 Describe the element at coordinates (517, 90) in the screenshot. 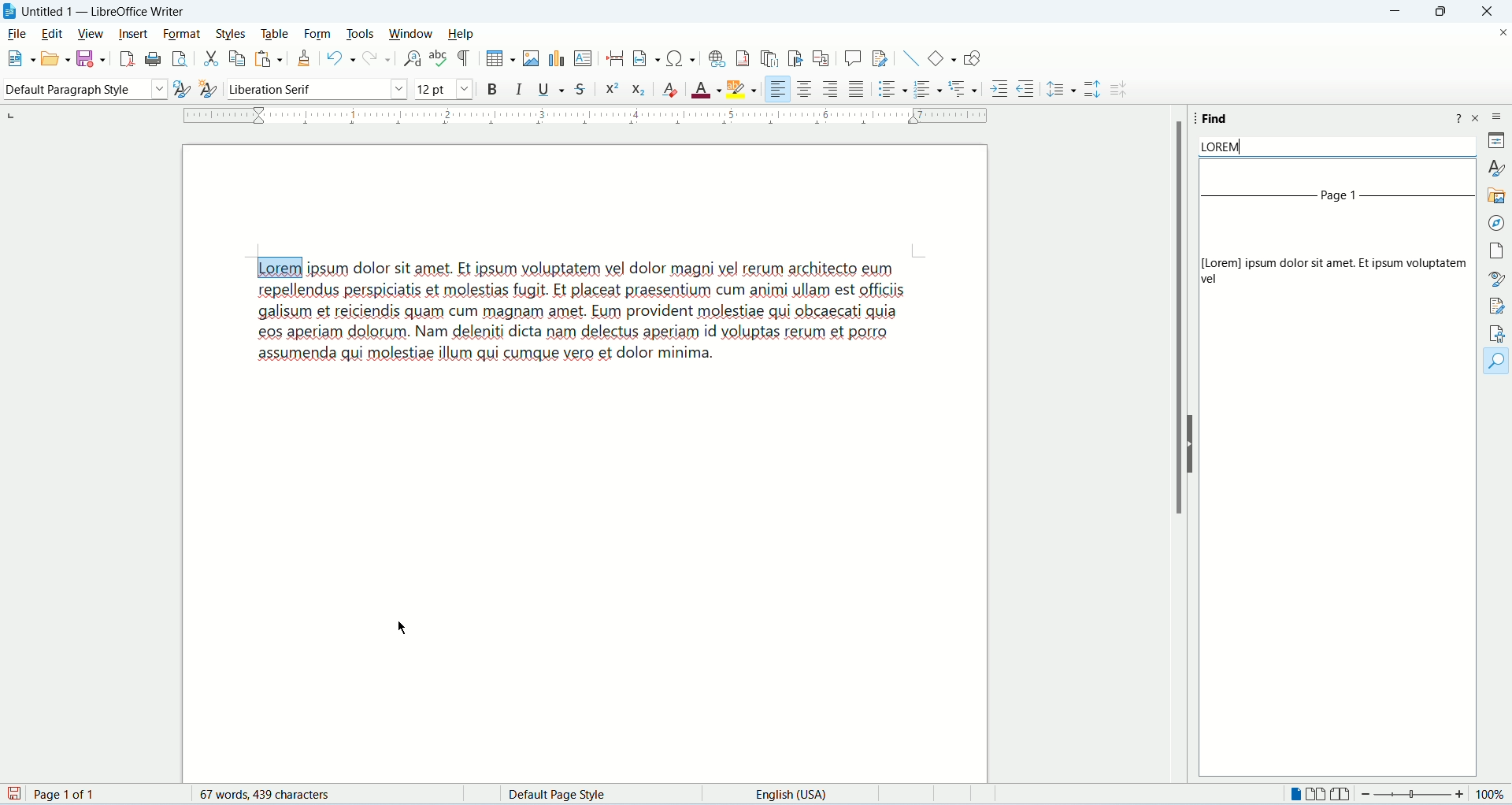

I see `italics` at that location.